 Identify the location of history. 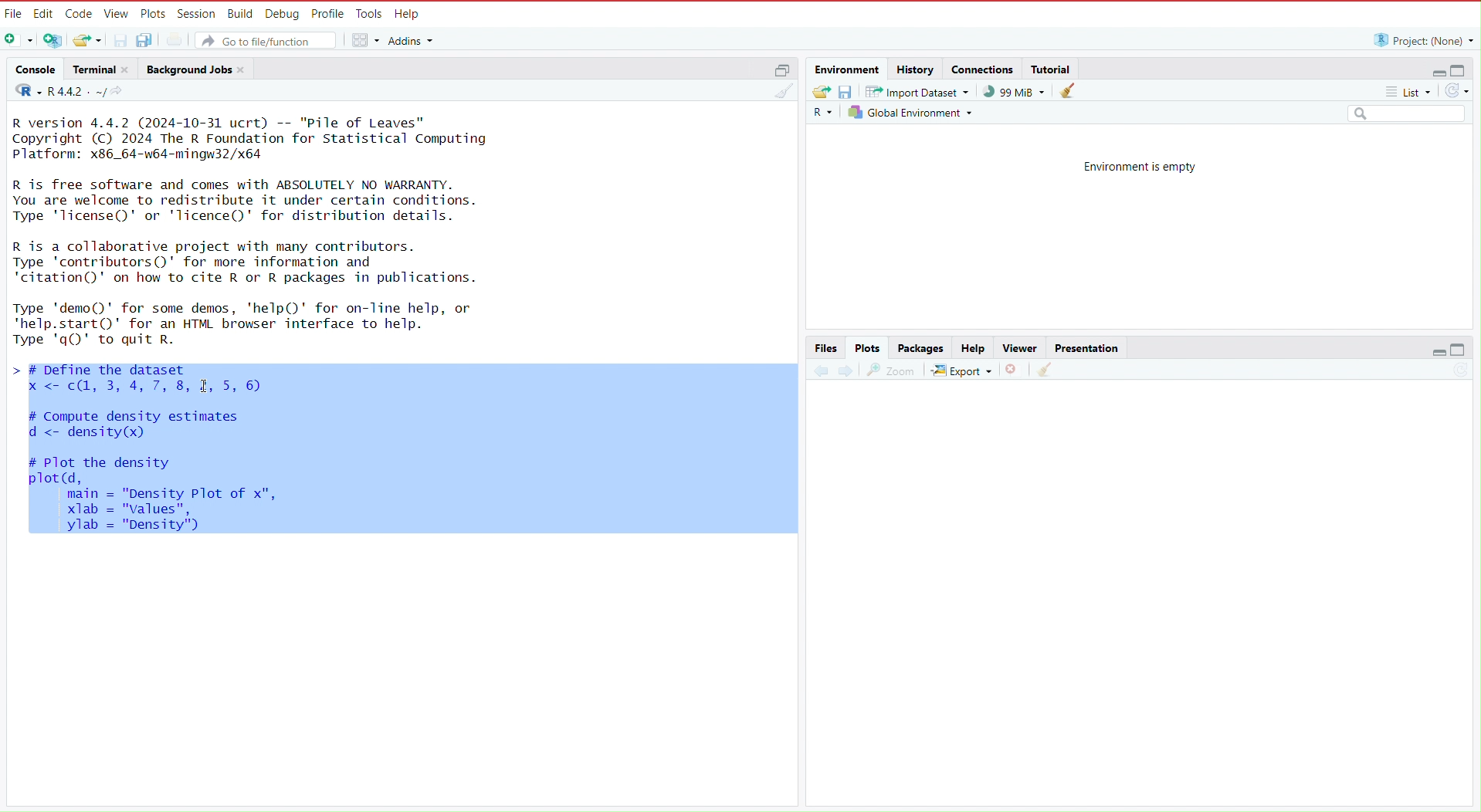
(915, 69).